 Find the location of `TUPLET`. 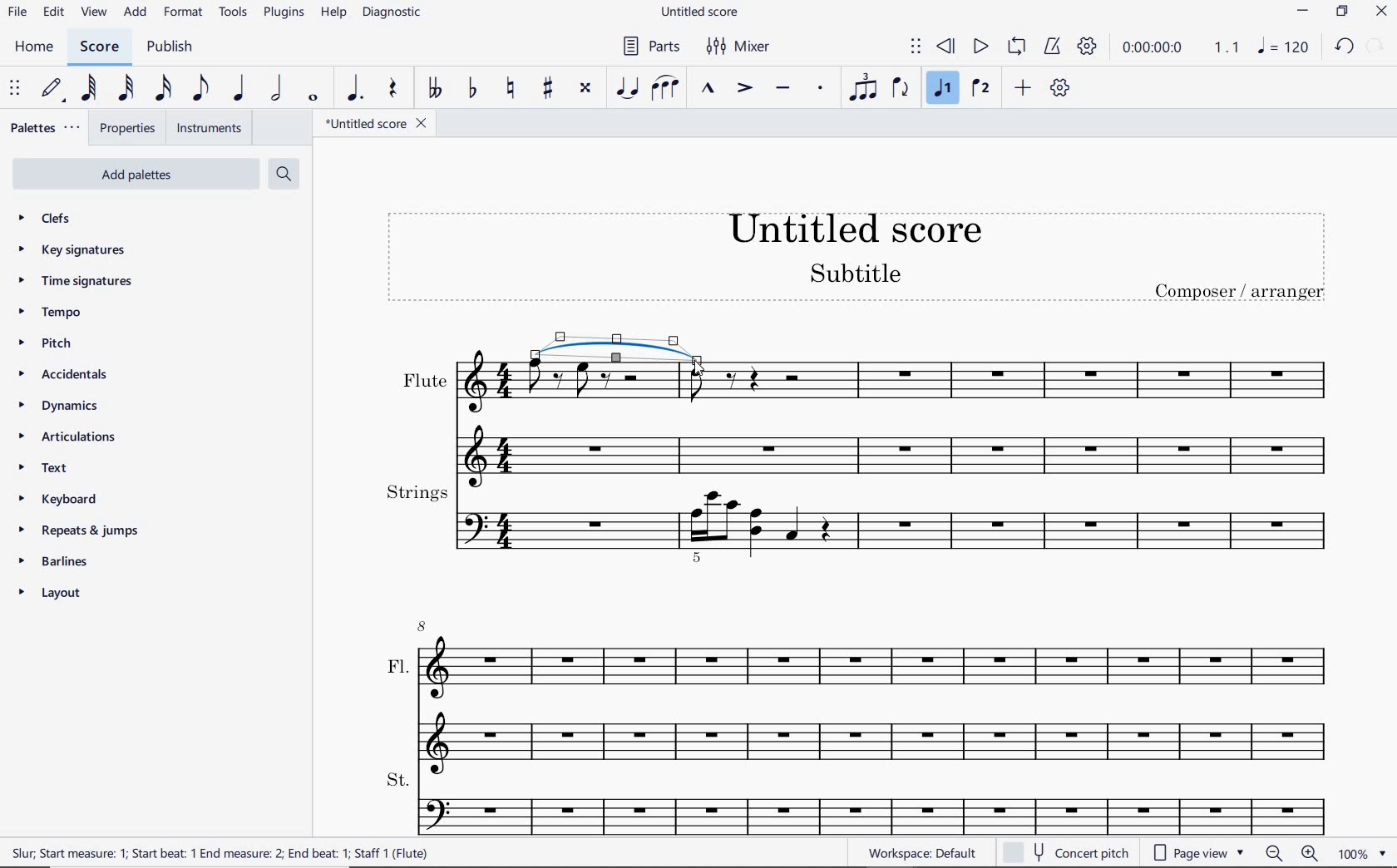

TUPLET is located at coordinates (862, 90).